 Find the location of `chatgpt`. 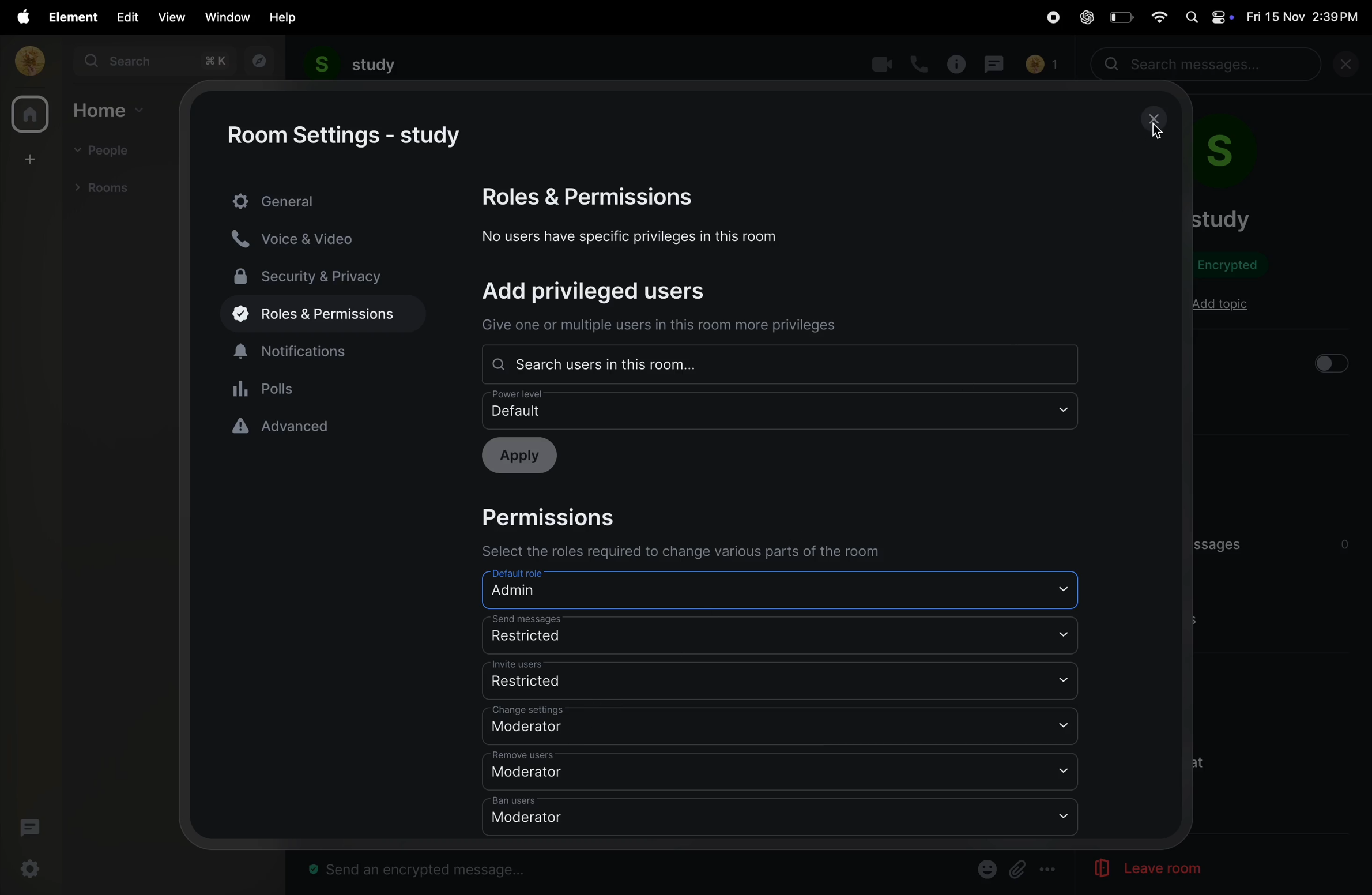

chatgpt is located at coordinates (1086, 18).